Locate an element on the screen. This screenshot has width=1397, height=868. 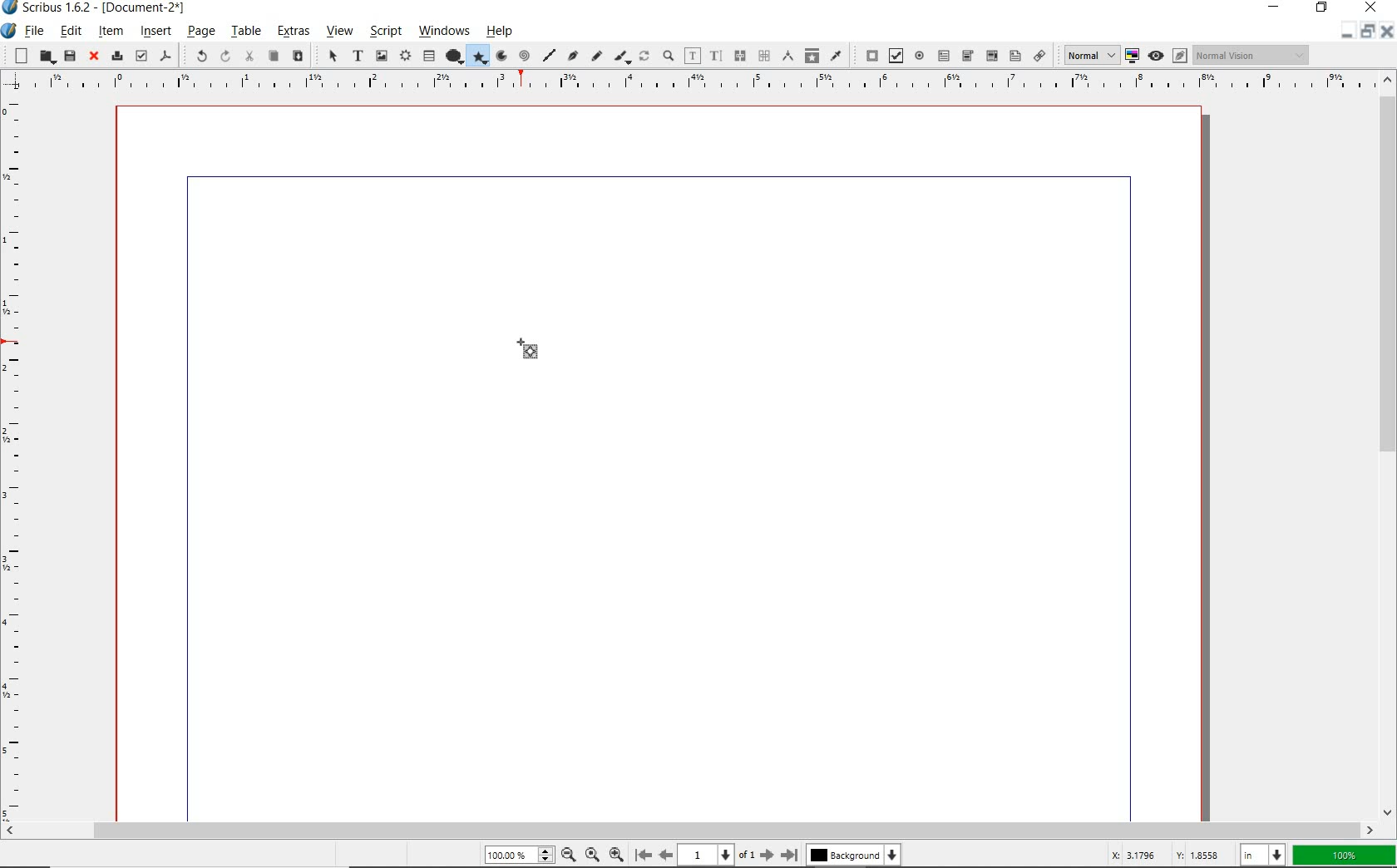
v 1.8558 is located at coordinates (1198, 852).